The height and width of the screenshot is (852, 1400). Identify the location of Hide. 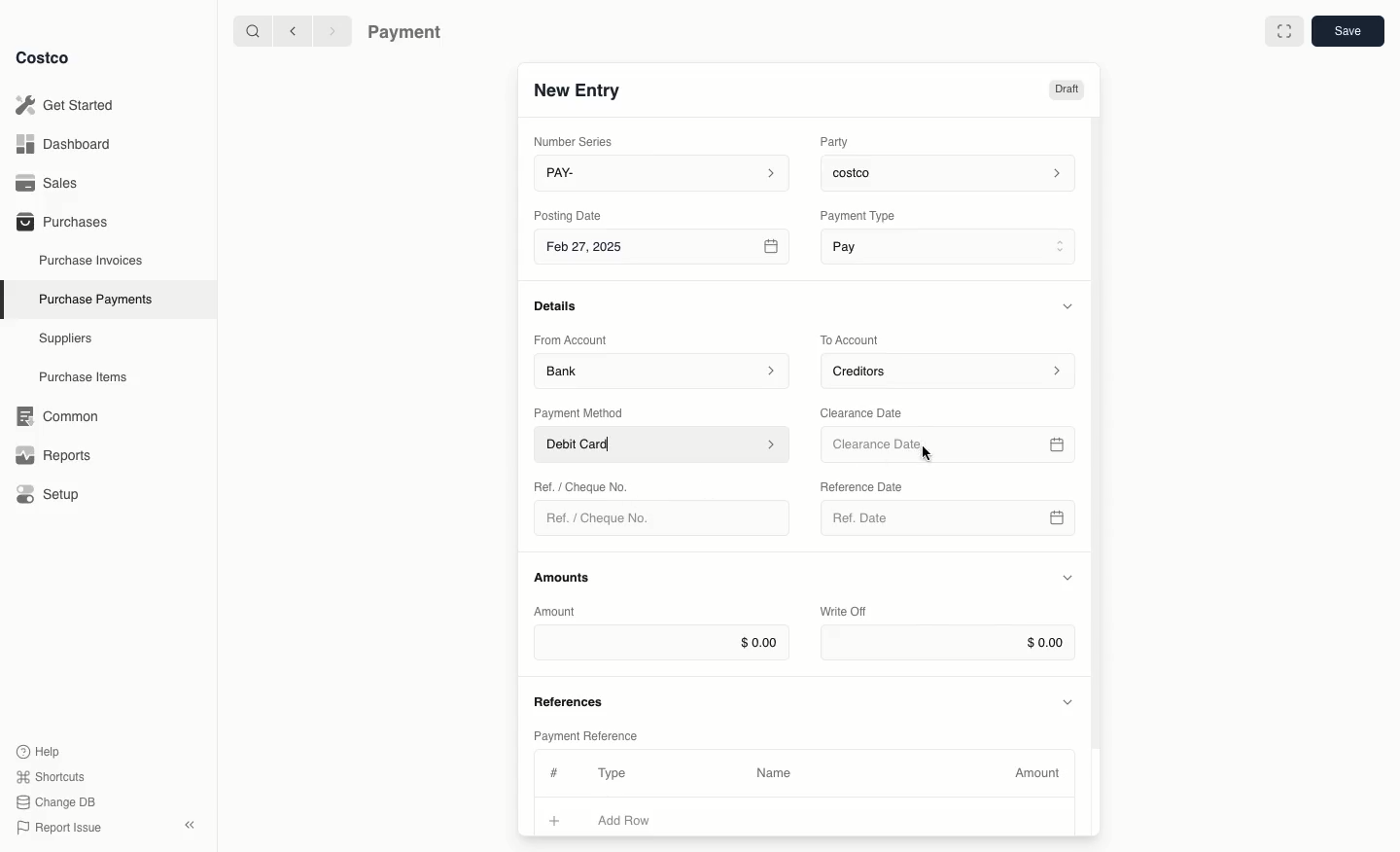
(1070, 305).